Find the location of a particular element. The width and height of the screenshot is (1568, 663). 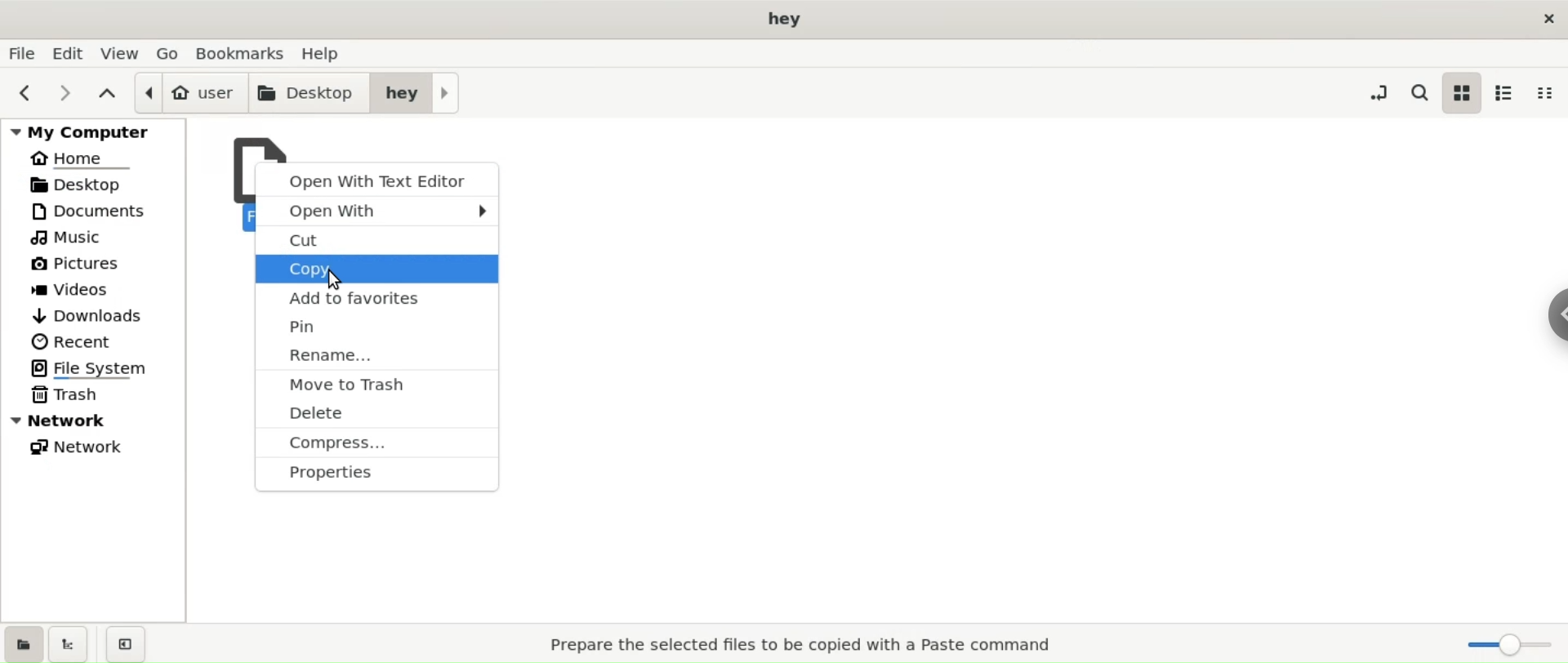

parent folder is located at coordinates (109, 94).